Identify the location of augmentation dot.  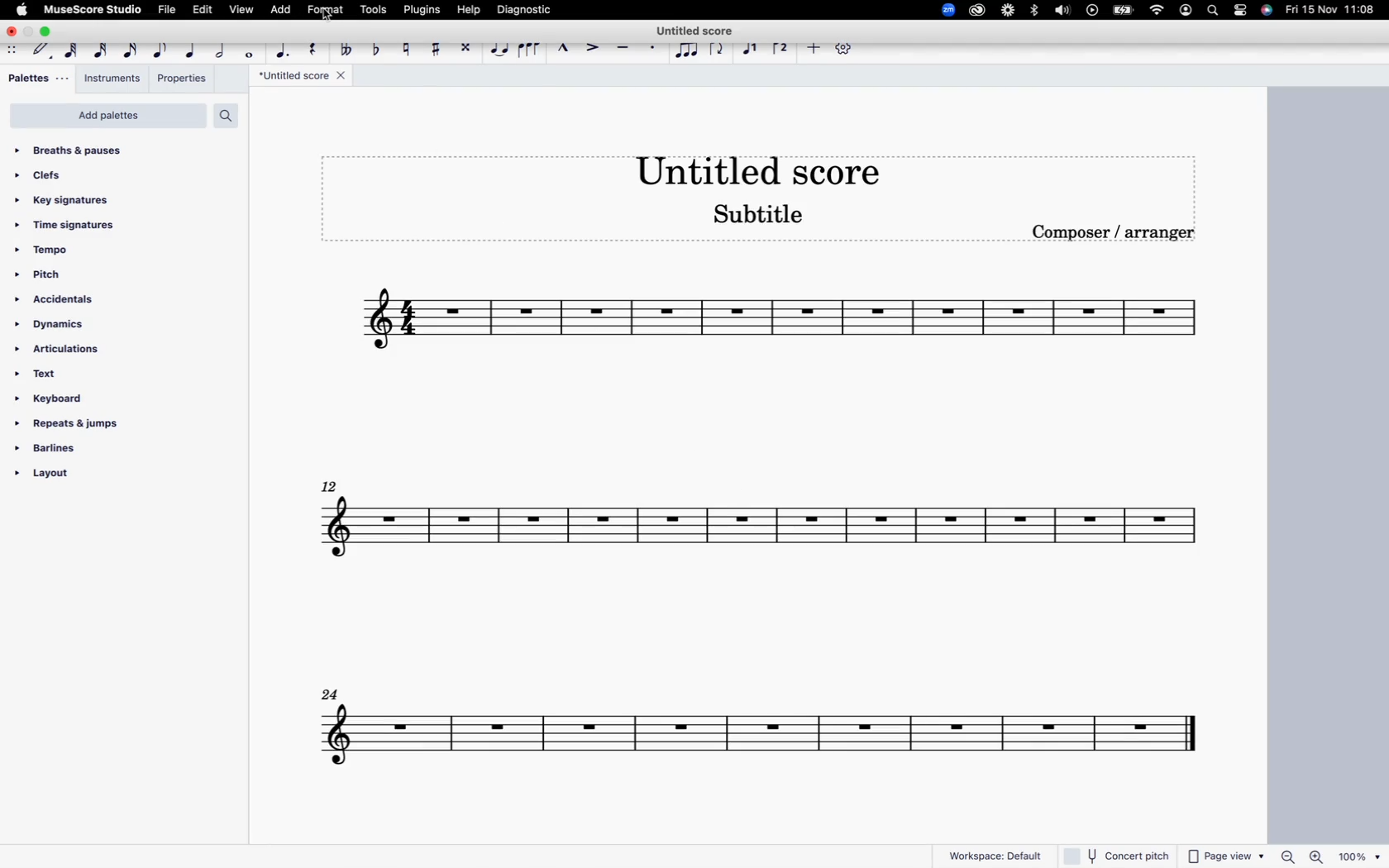
(283, 50).